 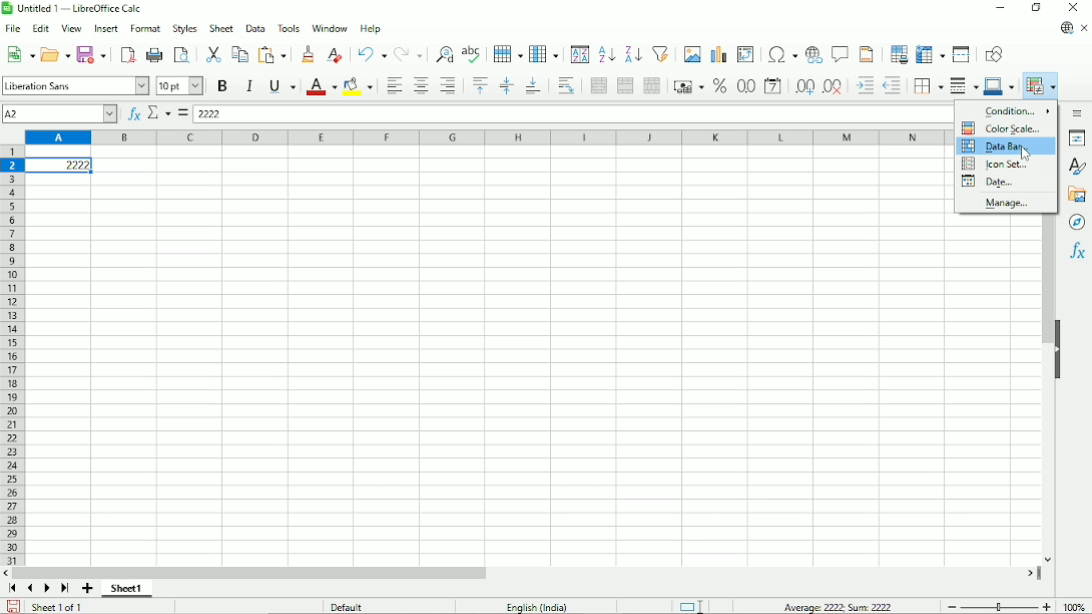 What do you see at coordinates (690, 605) in the screenshot?
I see `Standard selection` at bounding box center [690, 605].